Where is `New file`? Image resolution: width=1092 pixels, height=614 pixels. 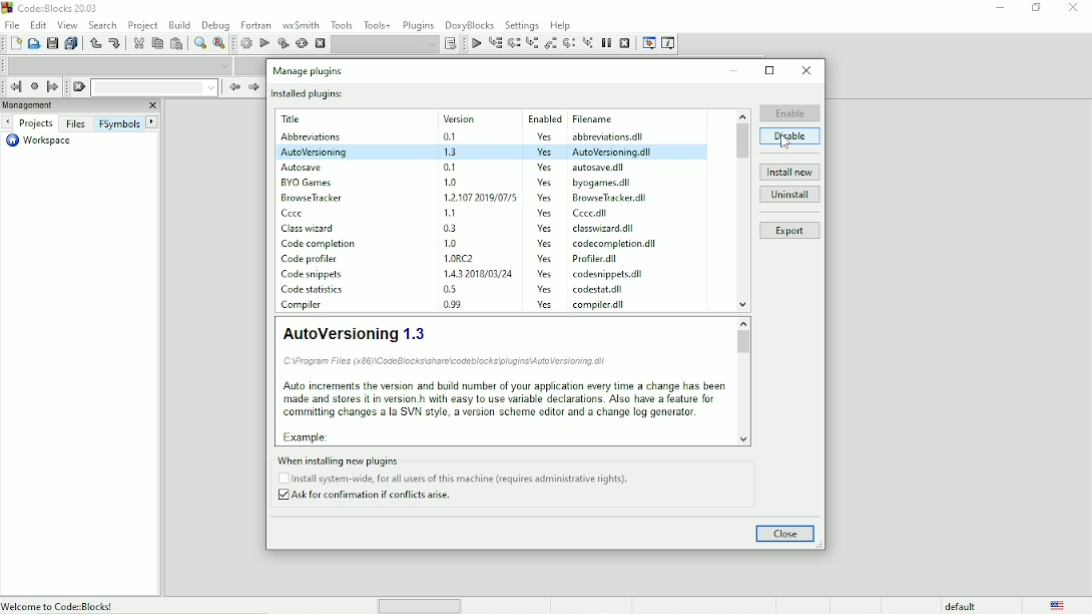
New file is located at coordinates (16, 44).